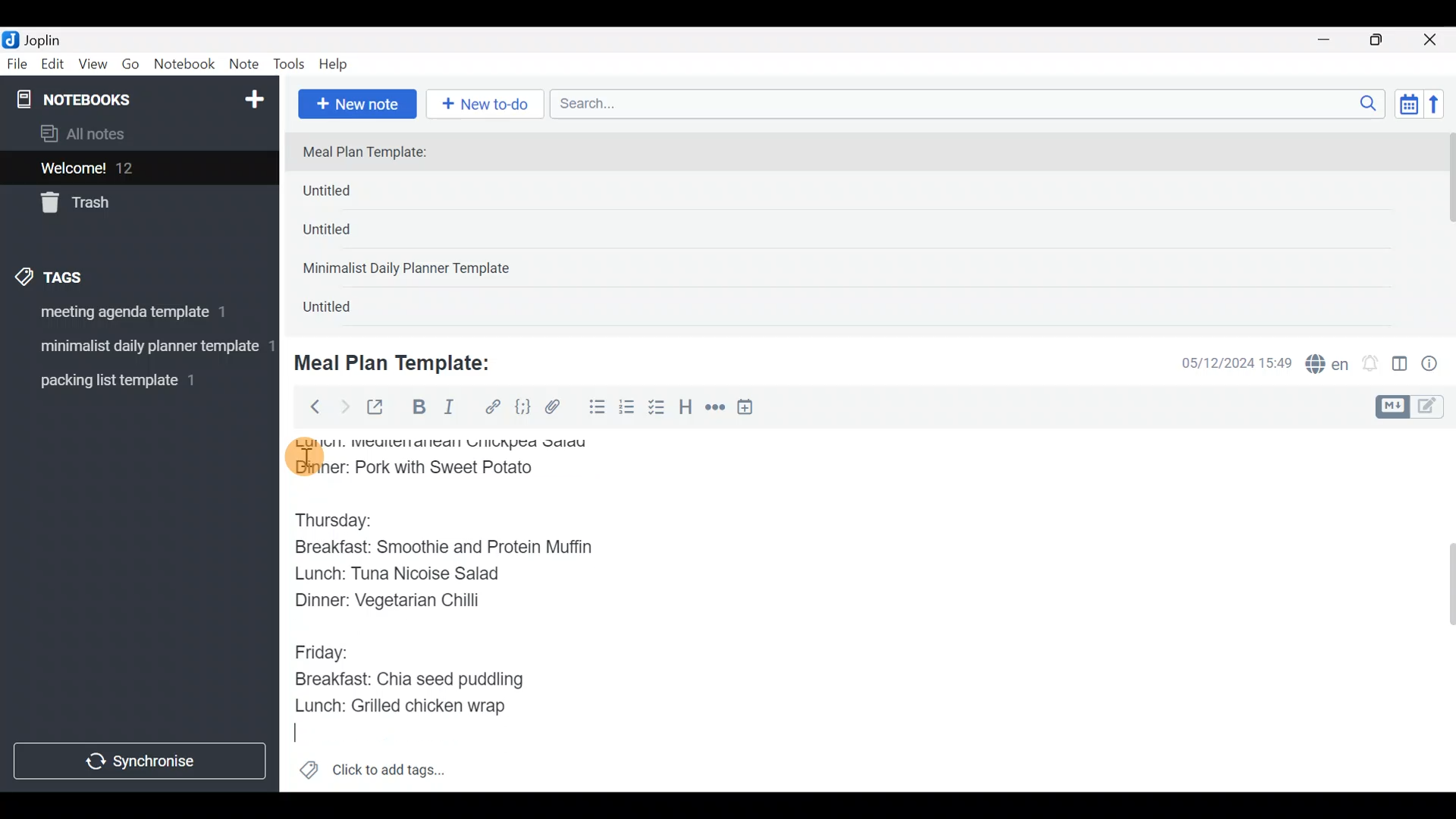 This screenshot has width=1456, height=819. I want to click on Spelling, so click(1328, 366).